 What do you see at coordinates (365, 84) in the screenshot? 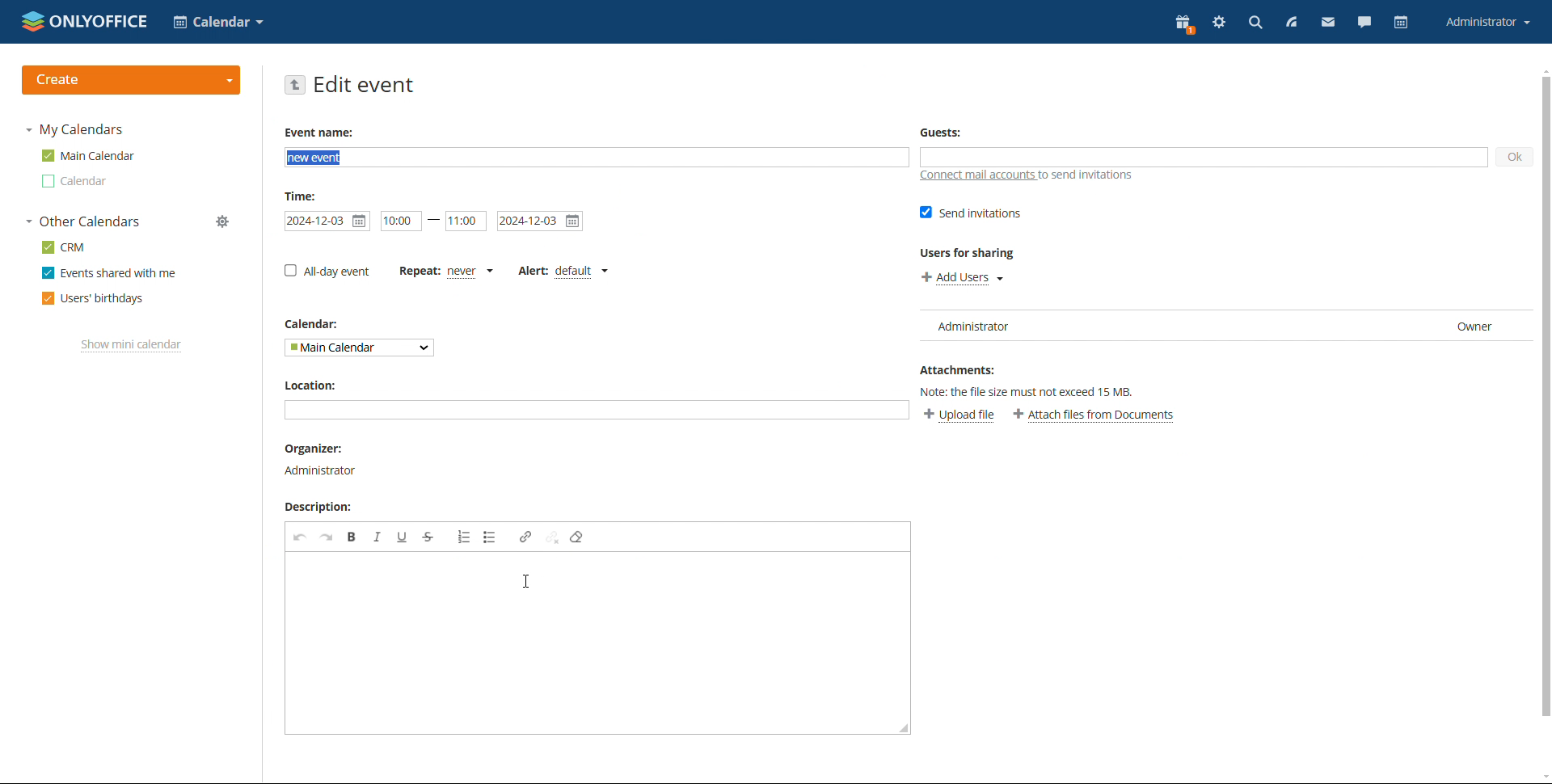
I see `edit event` at bounding box center [365, 84].